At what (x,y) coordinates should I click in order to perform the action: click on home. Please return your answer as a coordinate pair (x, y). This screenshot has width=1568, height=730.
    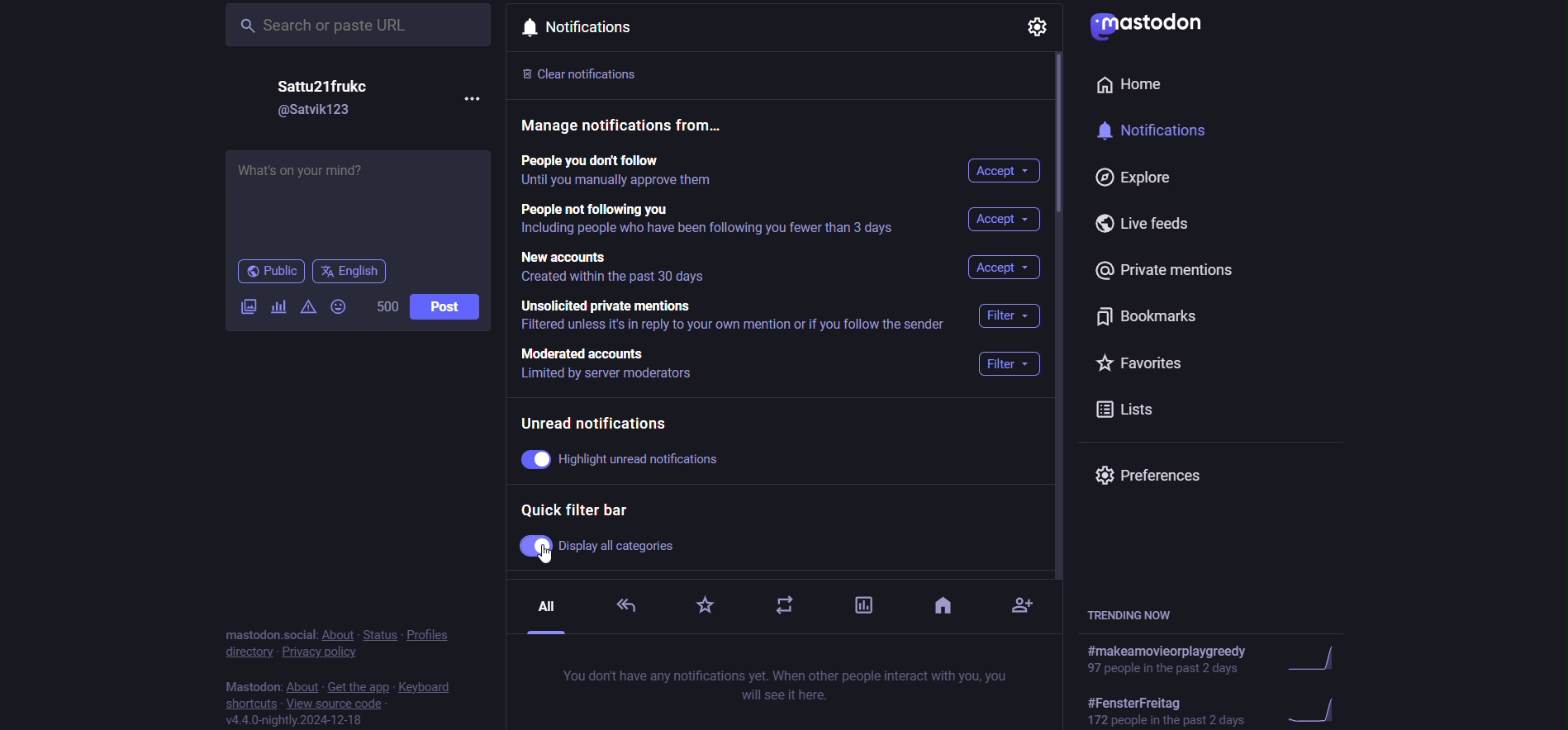
    Looking at the image, I should click on (944, 609).